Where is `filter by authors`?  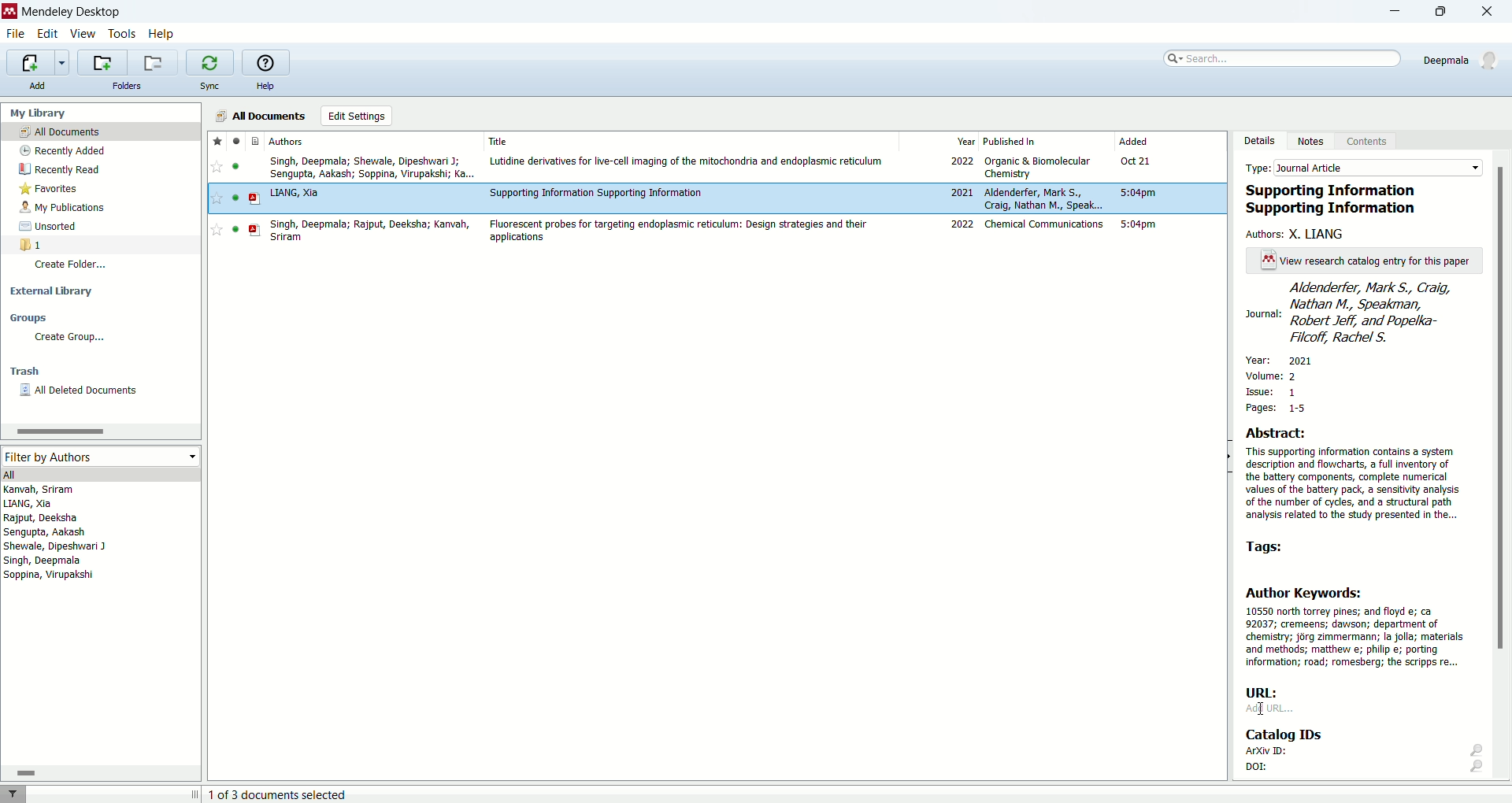 filter by authors is located at coordinates (102, 457).